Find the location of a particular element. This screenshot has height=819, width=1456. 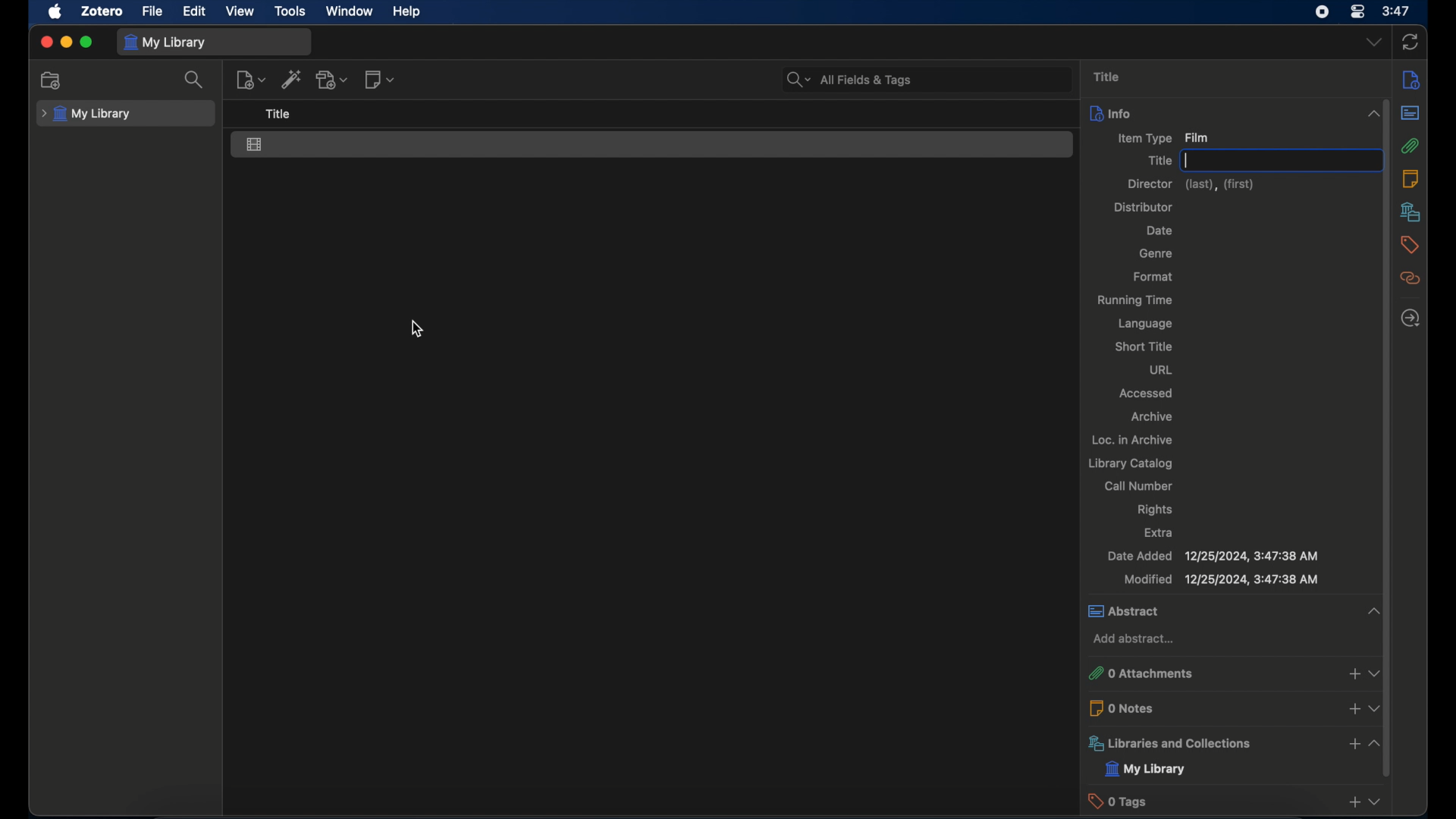

item type is located at coordinates (1162, 137).